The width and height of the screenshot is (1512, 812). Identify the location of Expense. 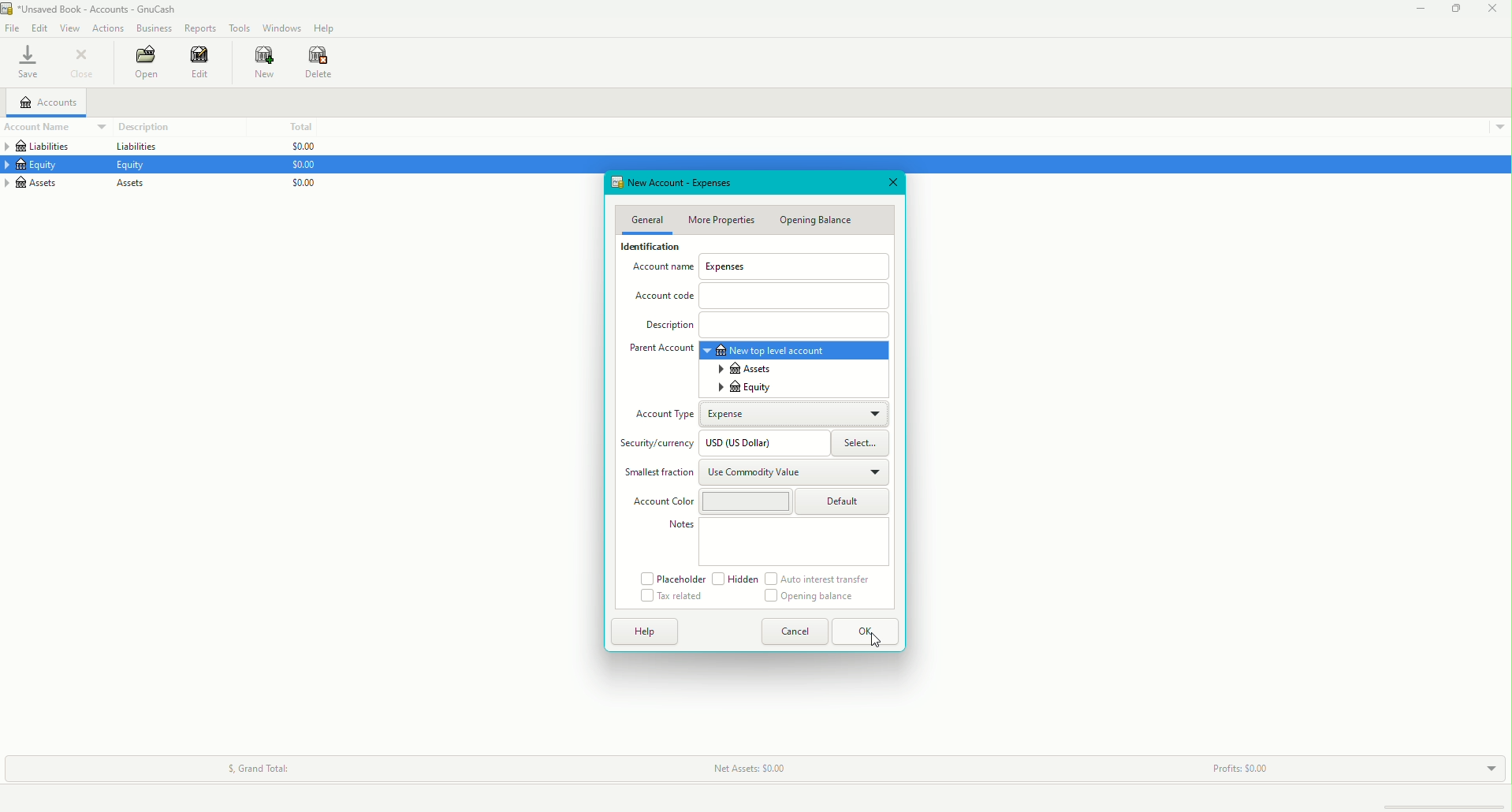
(765, 442).